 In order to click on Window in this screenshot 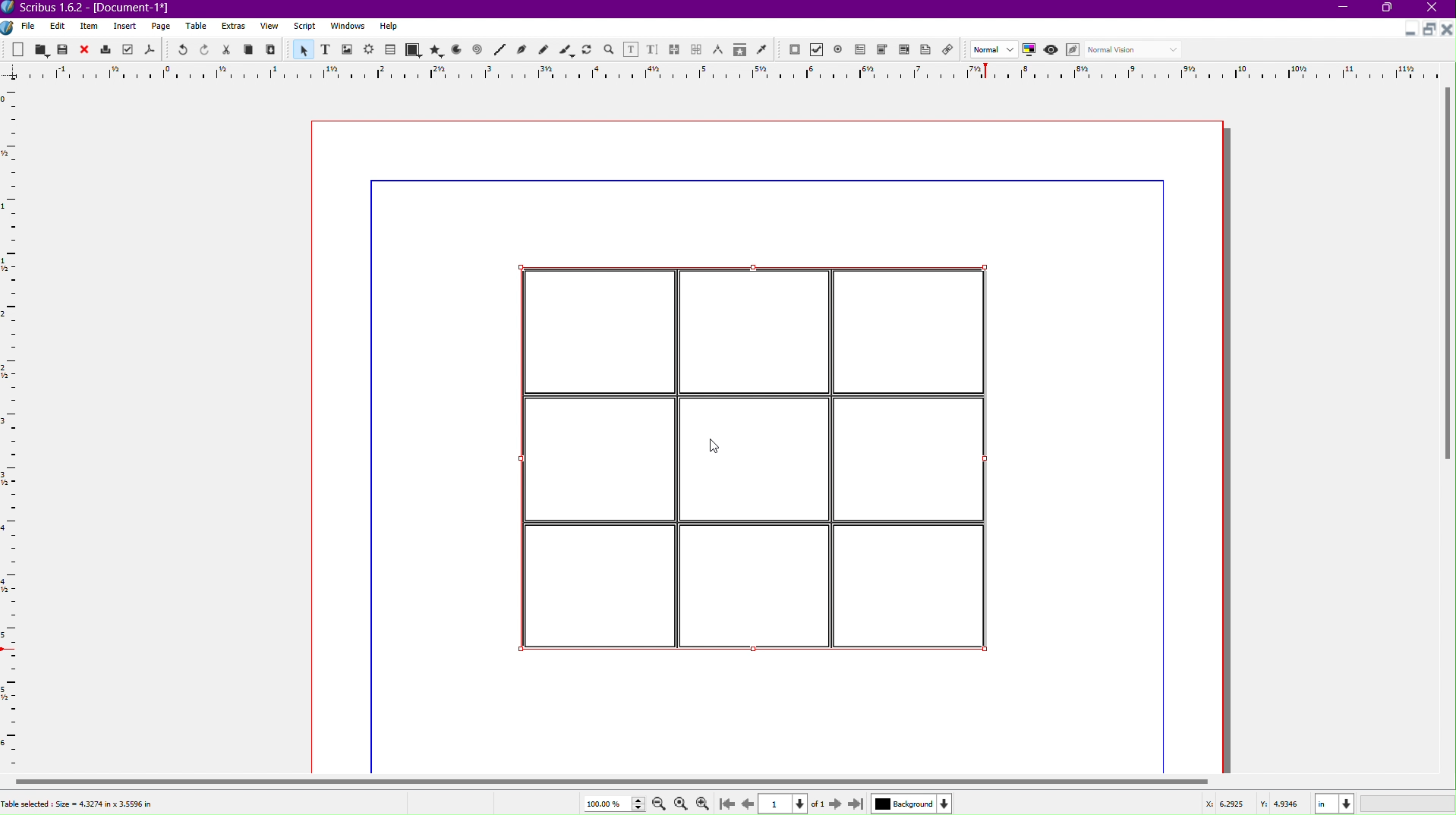, I will do `click(345, 28)`.